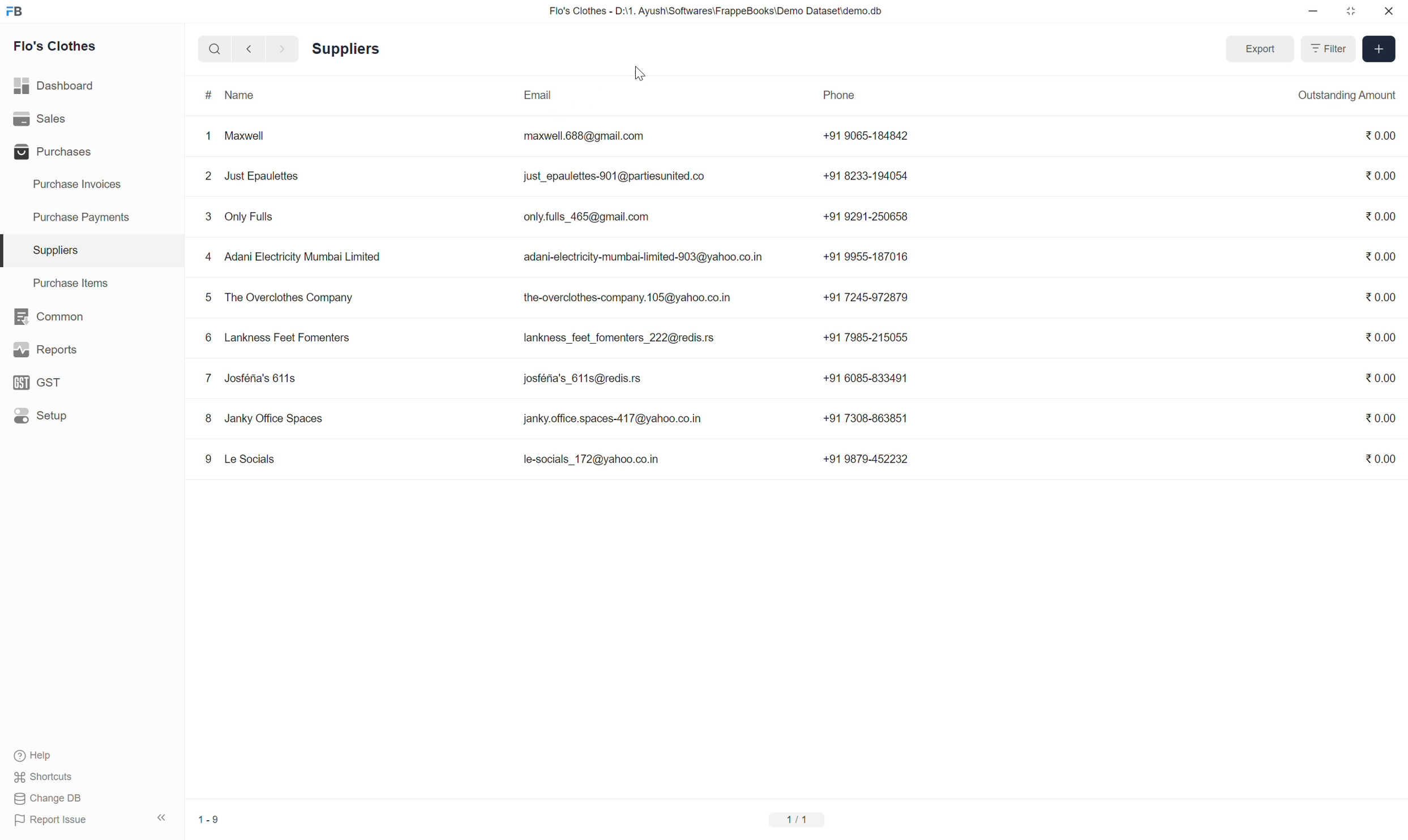 The width and height of the screenshot is (1408, 840). I want to click on Email, so click(538, 95).